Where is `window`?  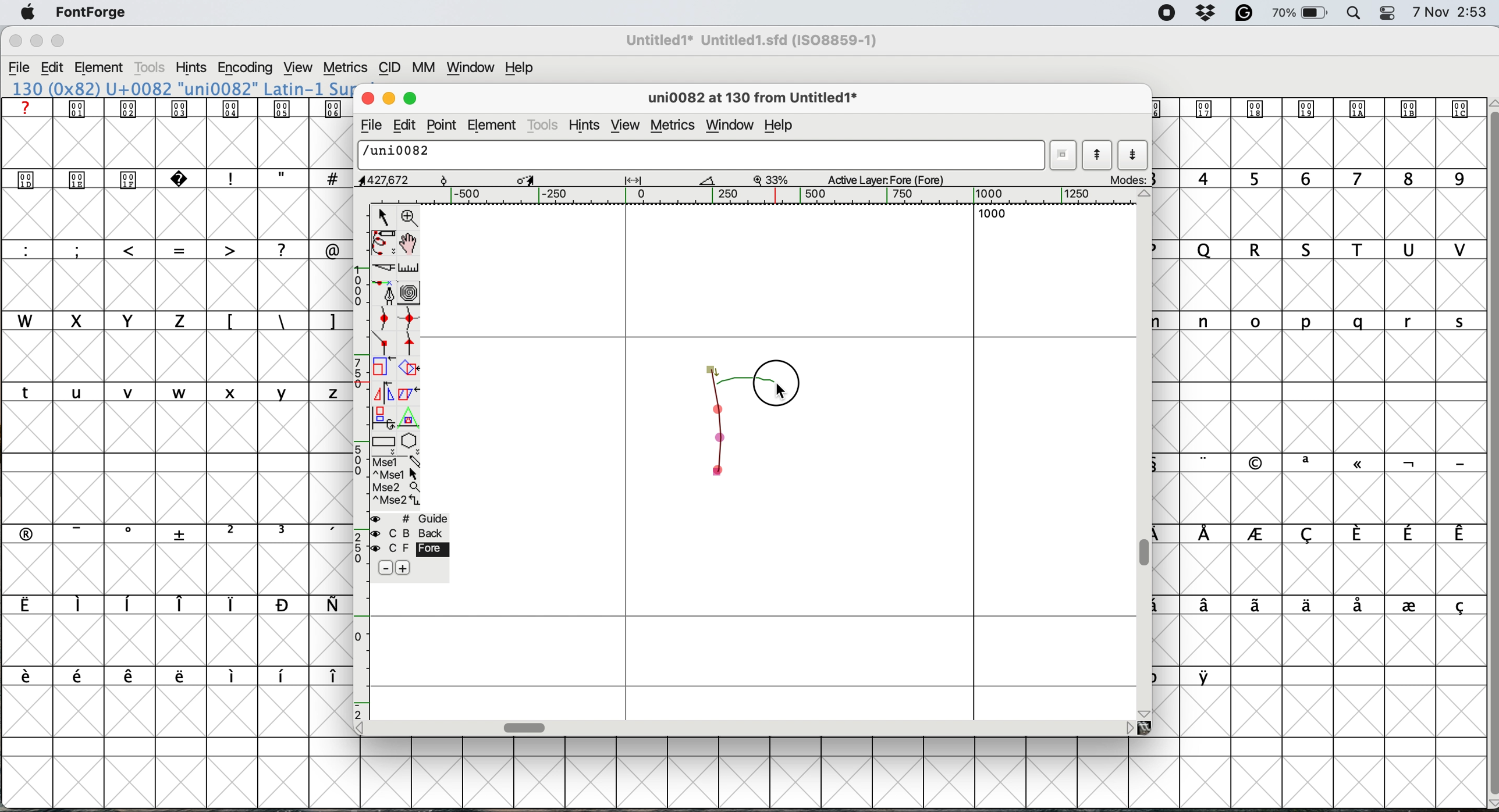
window is located at coordinates (474, 69).